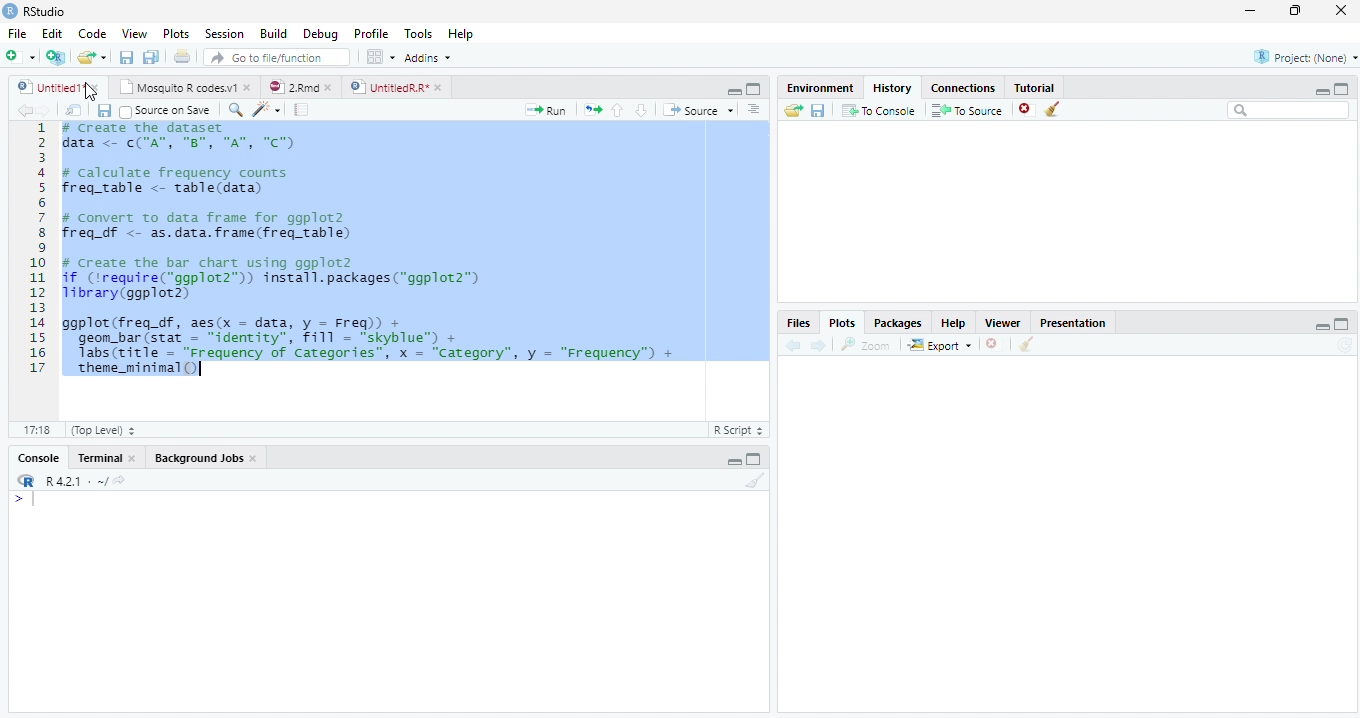 Image resolution: width=1360 pixels, height=718 pixels. I want to click on 2.Rmd, so click(300, 89).